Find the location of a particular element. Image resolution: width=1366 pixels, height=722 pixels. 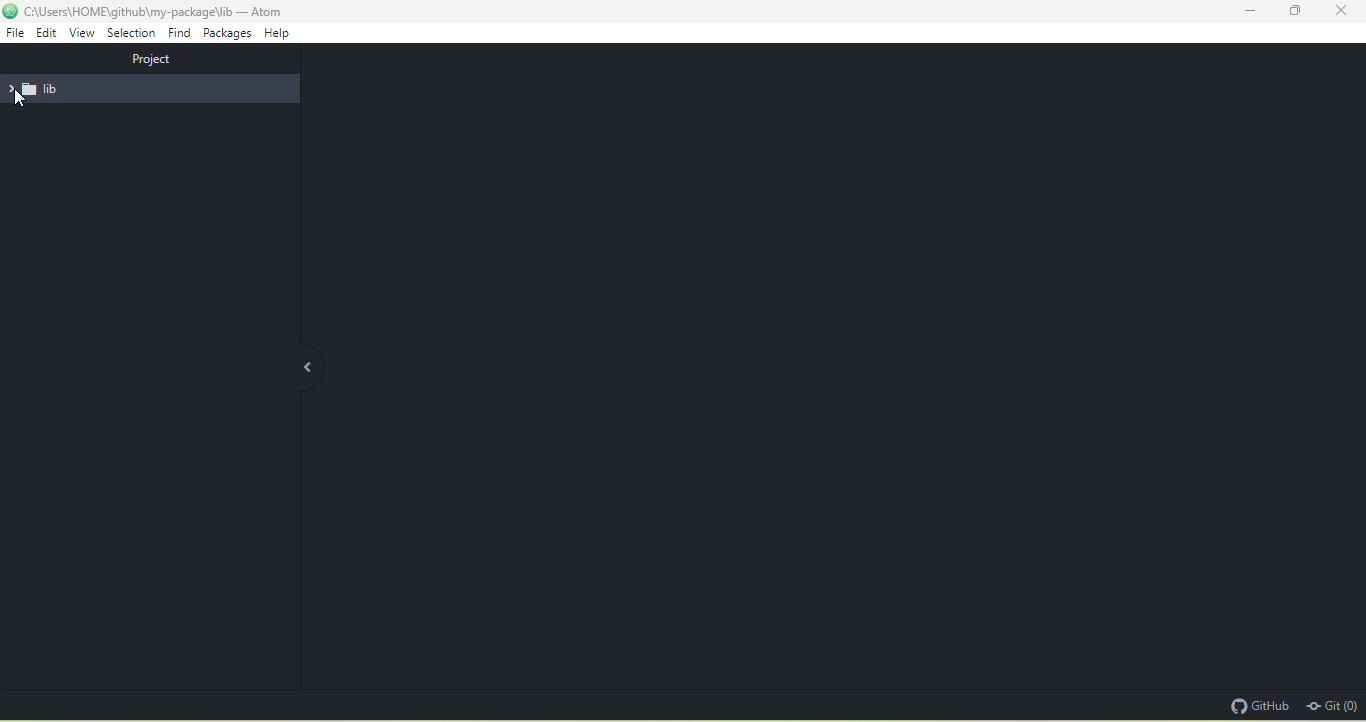

minimize is located at coordinates (1246, 13).